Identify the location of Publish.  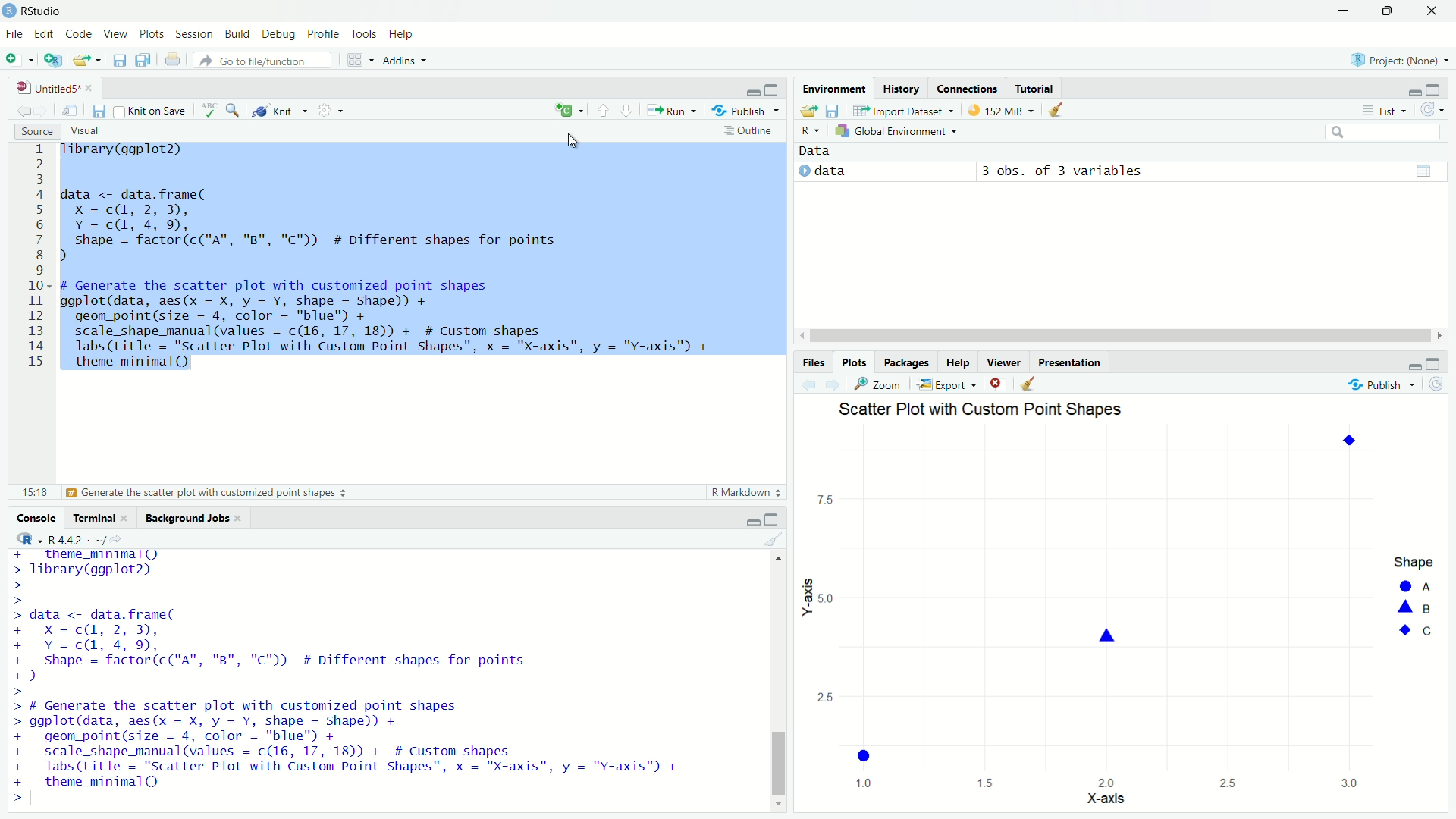
(745, 110).